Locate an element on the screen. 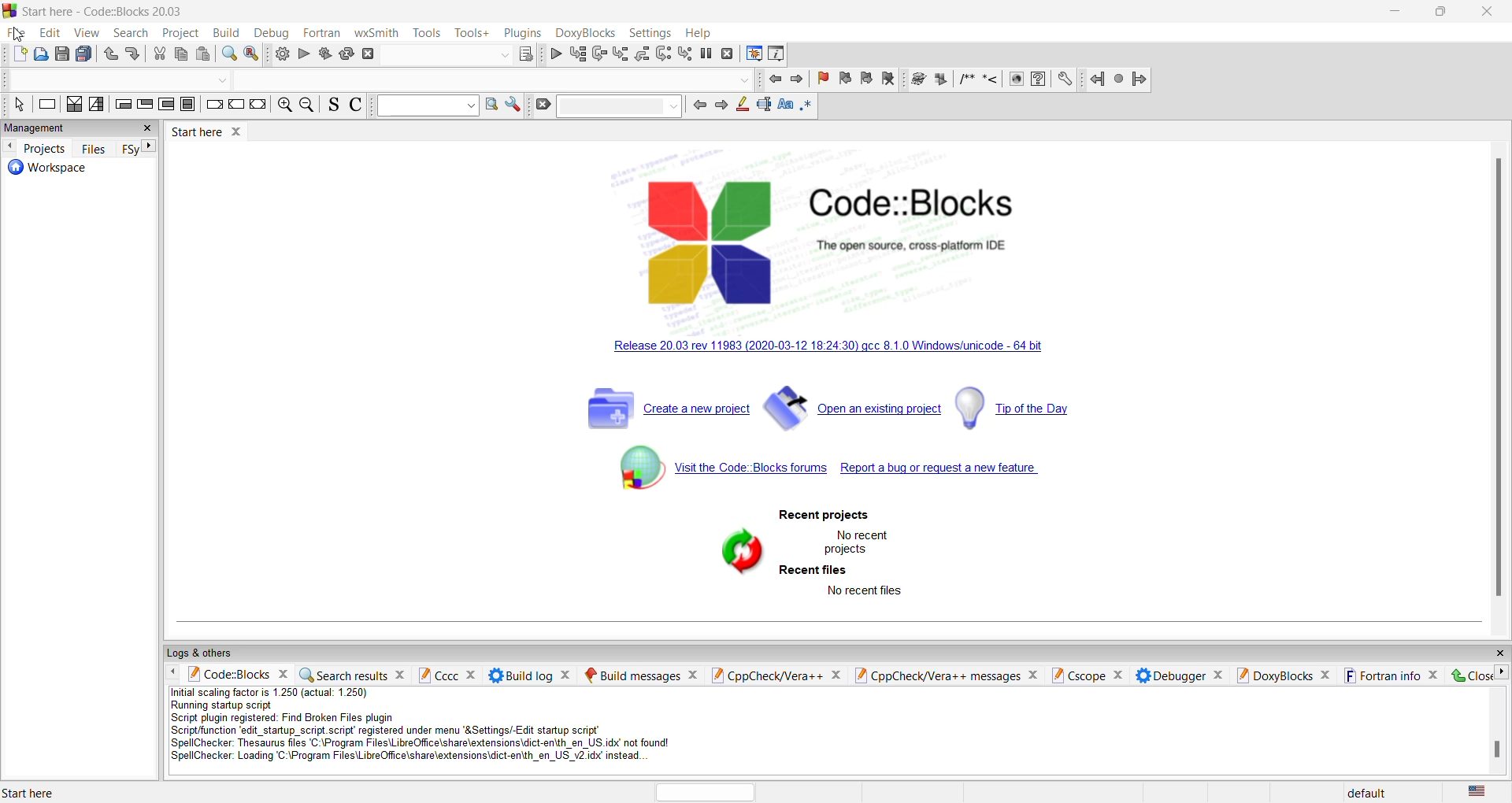 This screenshot has width=1512, height=803. toggle source is located at coordinates (333, 105).